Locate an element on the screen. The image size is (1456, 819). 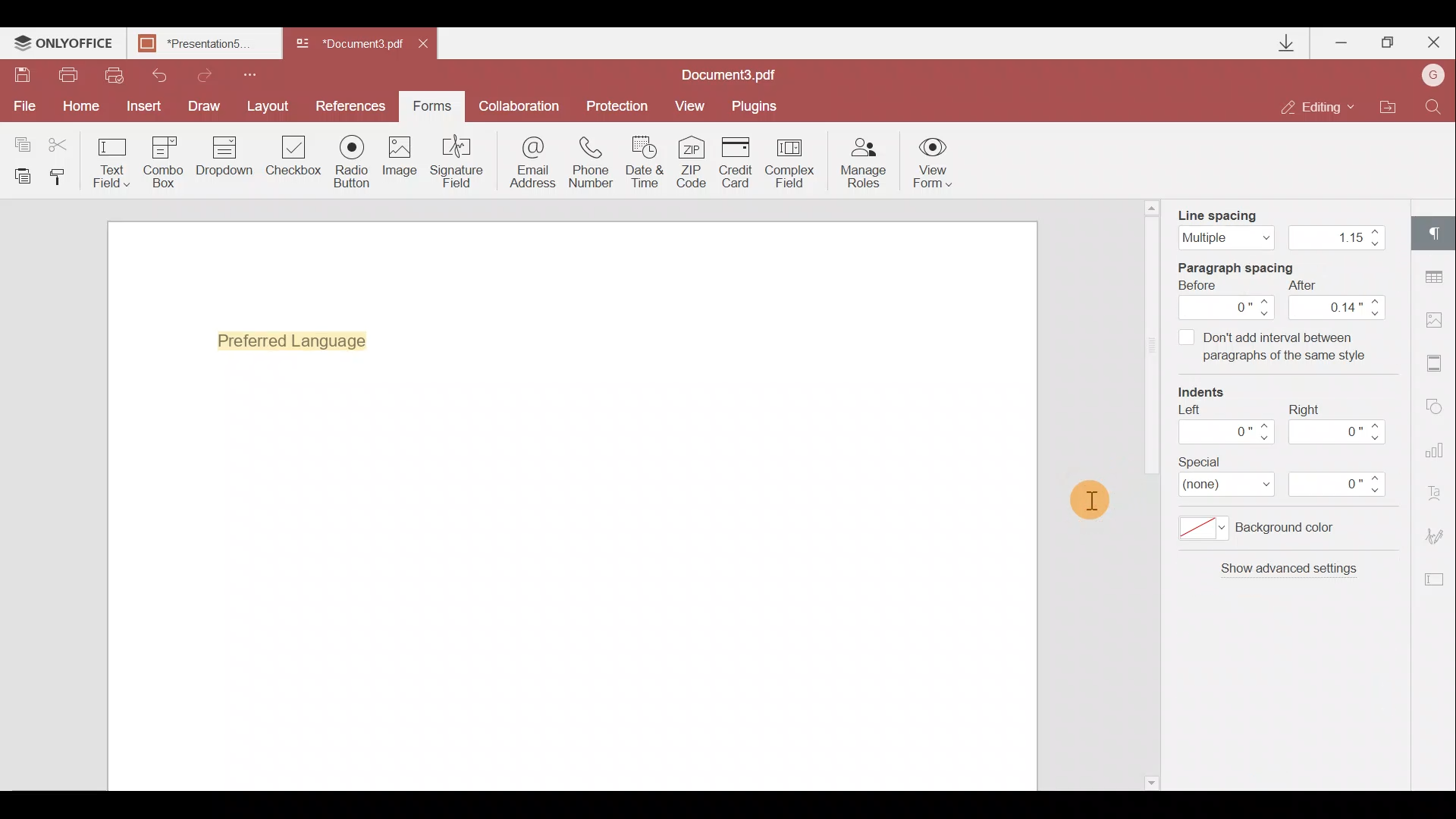
Layout is located at coordinates (269, 104).